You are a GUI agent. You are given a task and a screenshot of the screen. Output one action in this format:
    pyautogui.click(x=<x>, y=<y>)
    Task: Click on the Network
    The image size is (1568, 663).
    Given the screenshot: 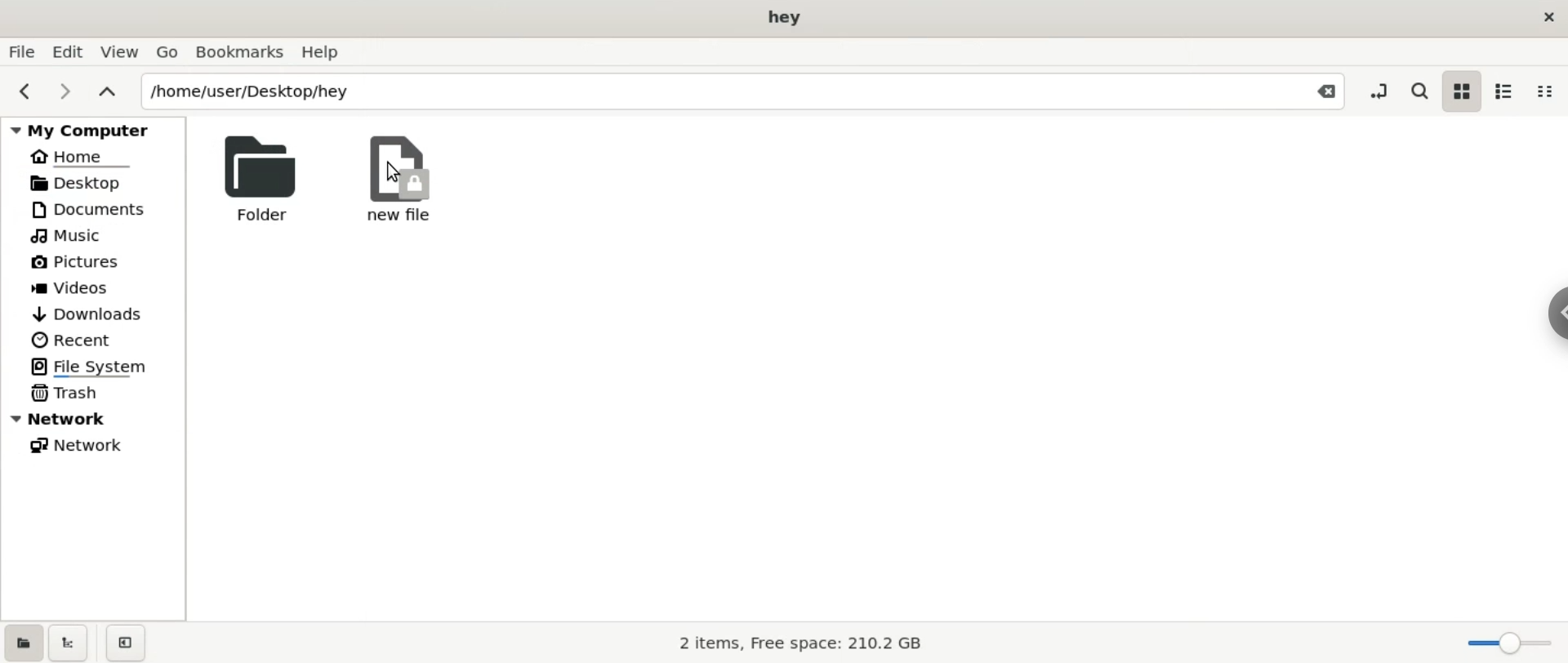 What is the action you would take?
    pyautogui.click(x=98, y=418)
    